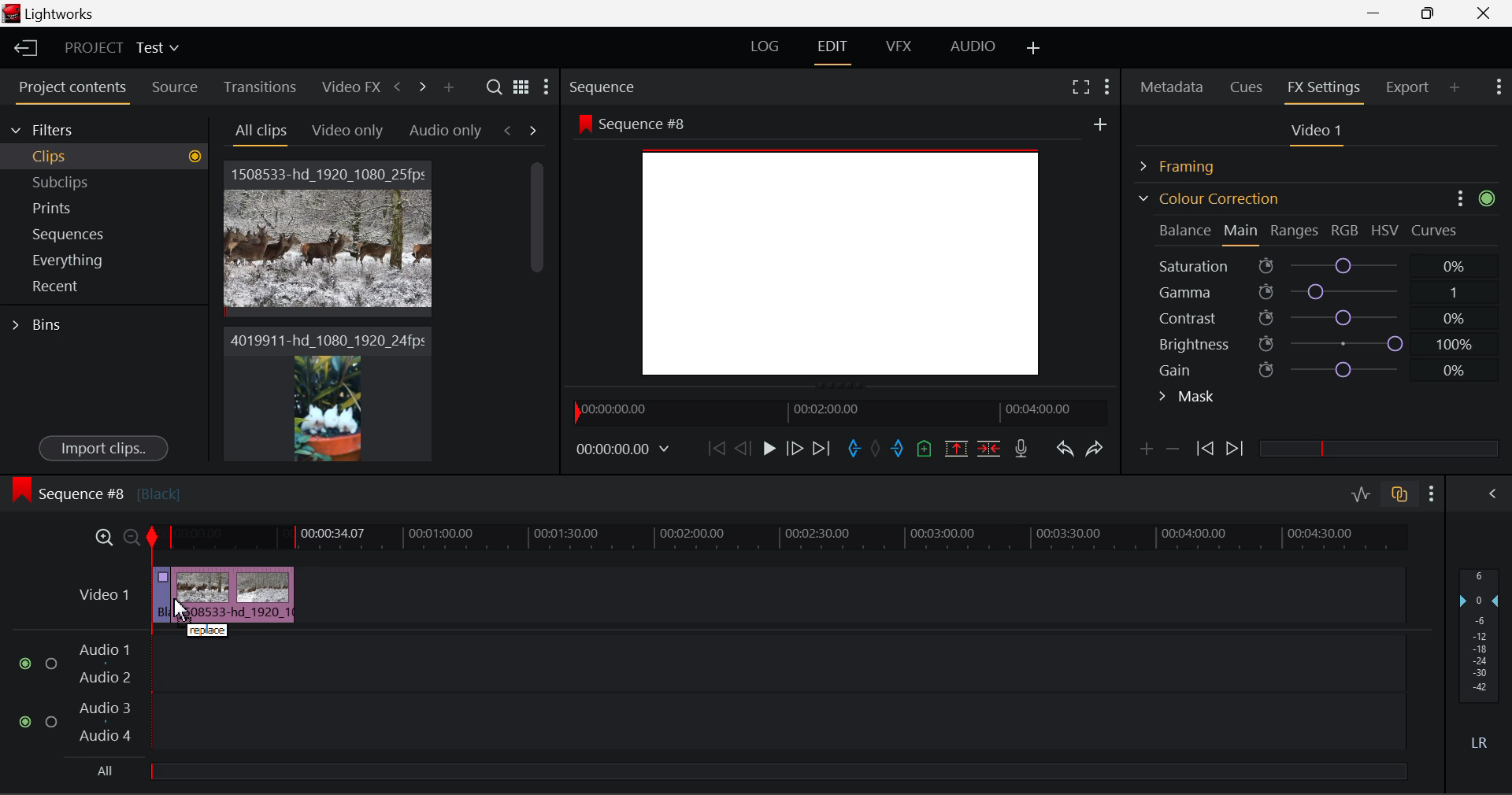 The width and height of the screenshot is (1512, 795). Describe the element at coordinates (72, 91) in the screenshot. I see `Project contents` at that location.